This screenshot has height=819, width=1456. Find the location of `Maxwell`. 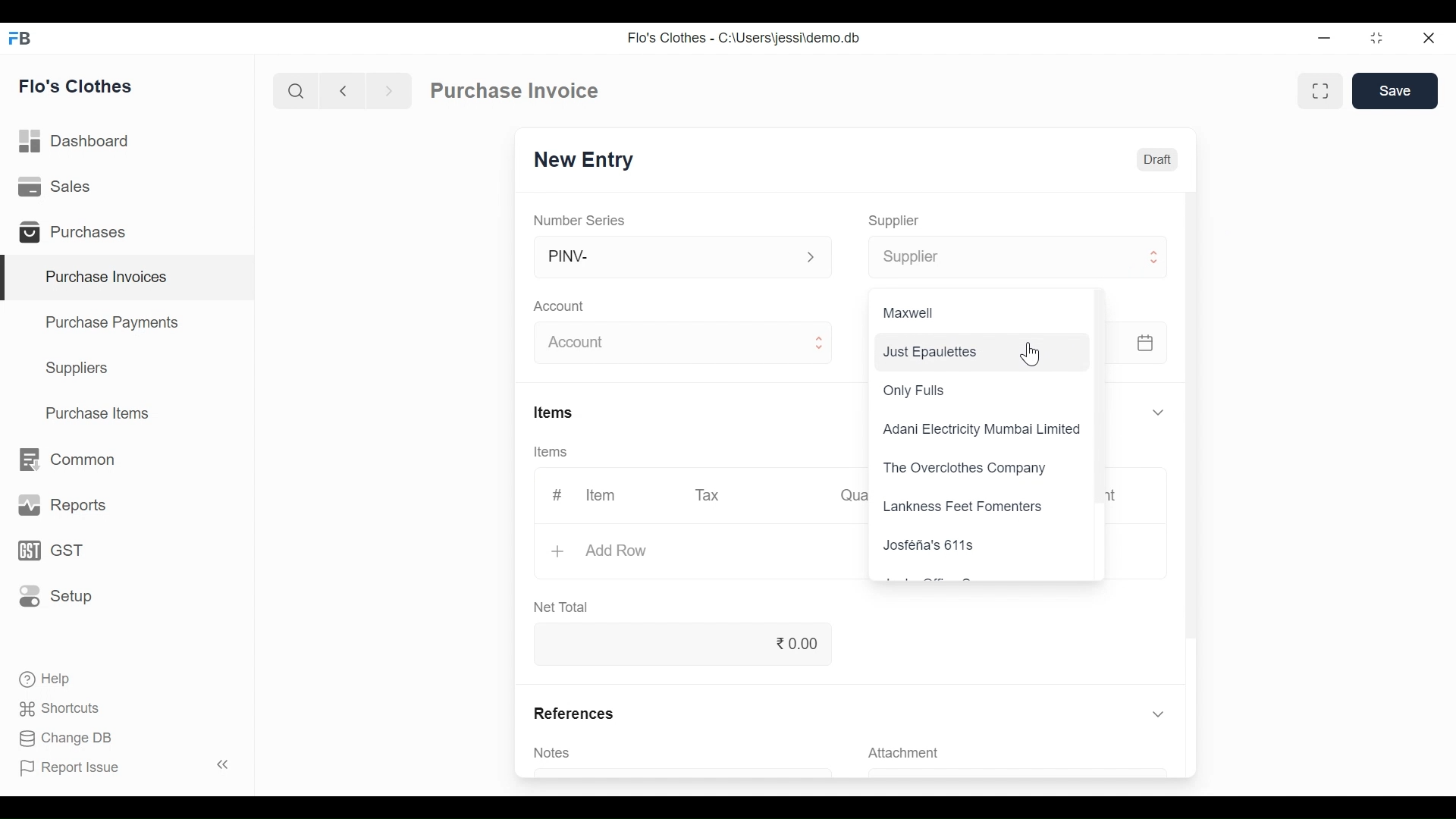

Maxwell is located at coordinates (912, 314).